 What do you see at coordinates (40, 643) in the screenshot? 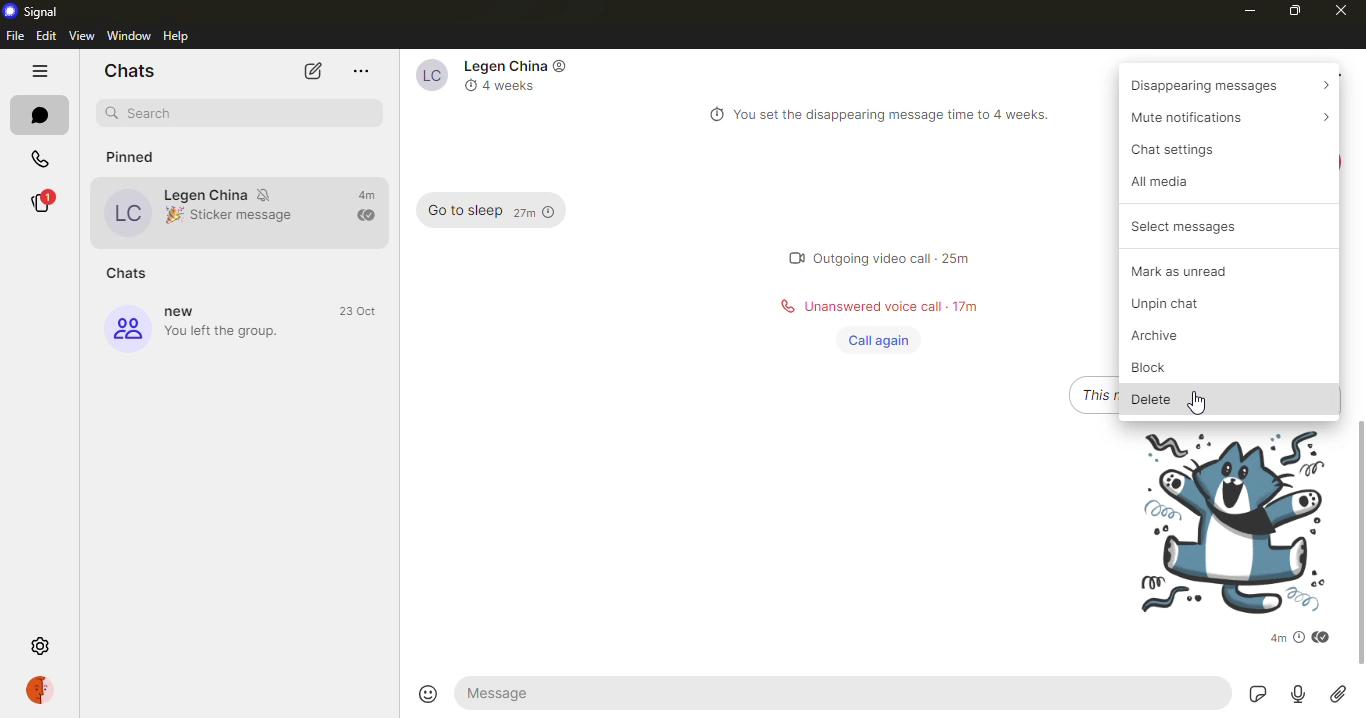
I see `settings` at bounding box center [40, 643].